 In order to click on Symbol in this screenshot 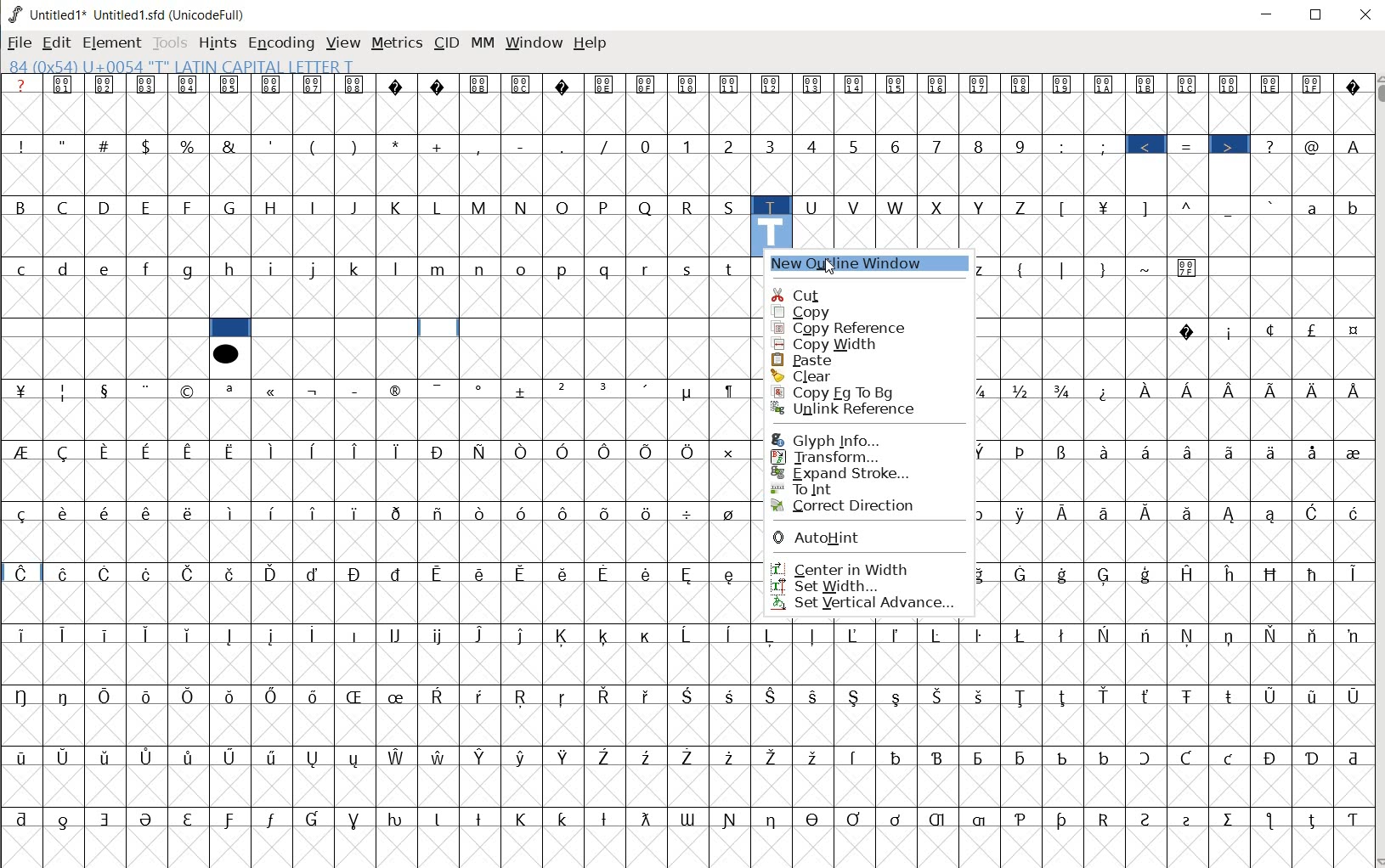, I will do `click(23, 695)`.